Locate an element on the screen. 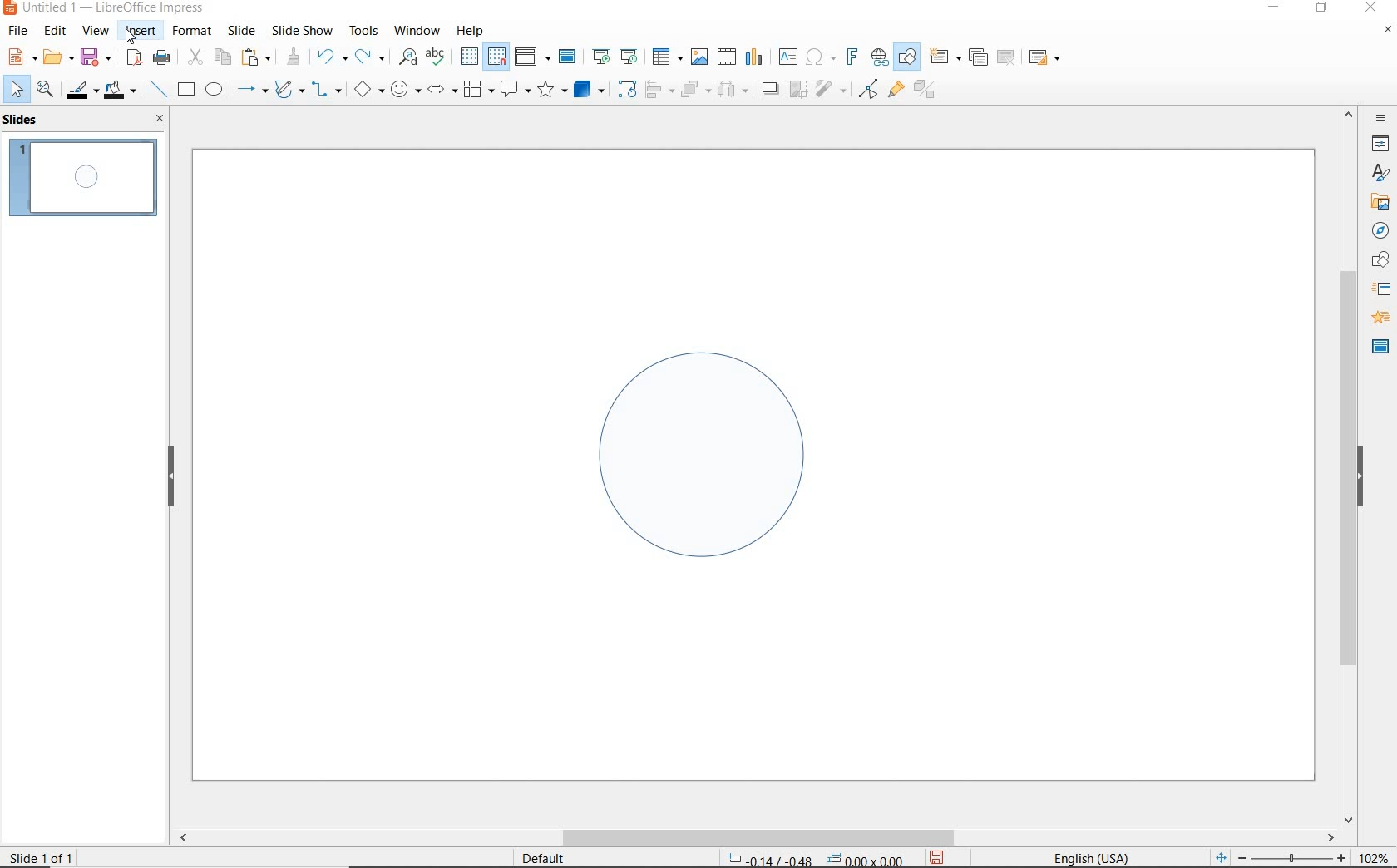  export as PDF is located at coordinates (134, 58).